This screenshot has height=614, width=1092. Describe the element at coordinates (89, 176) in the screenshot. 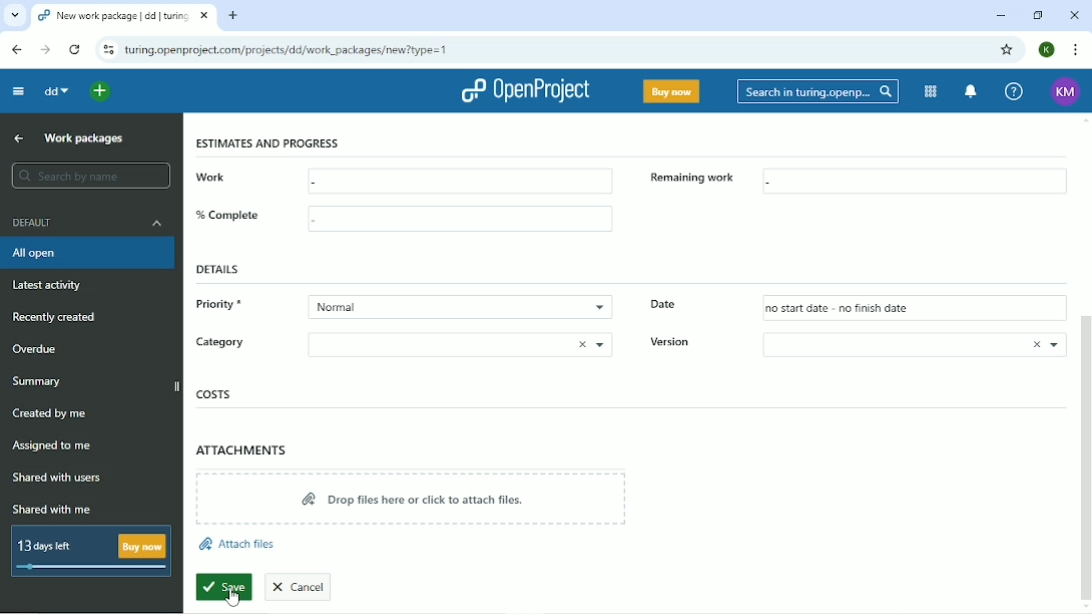

I see `search by name` at that location.